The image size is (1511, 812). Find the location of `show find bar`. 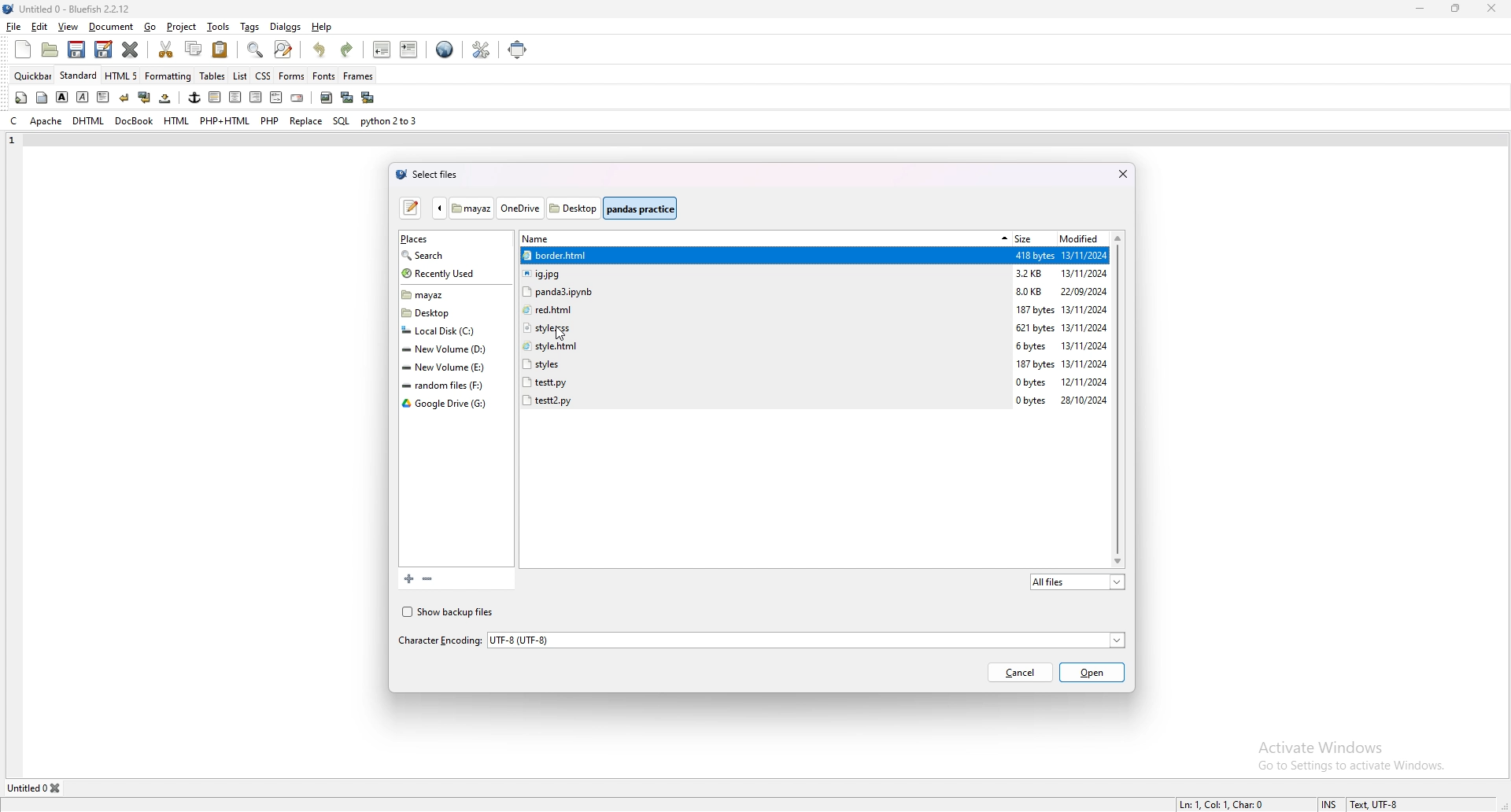

show find bar is located at coordinates (257, 50).